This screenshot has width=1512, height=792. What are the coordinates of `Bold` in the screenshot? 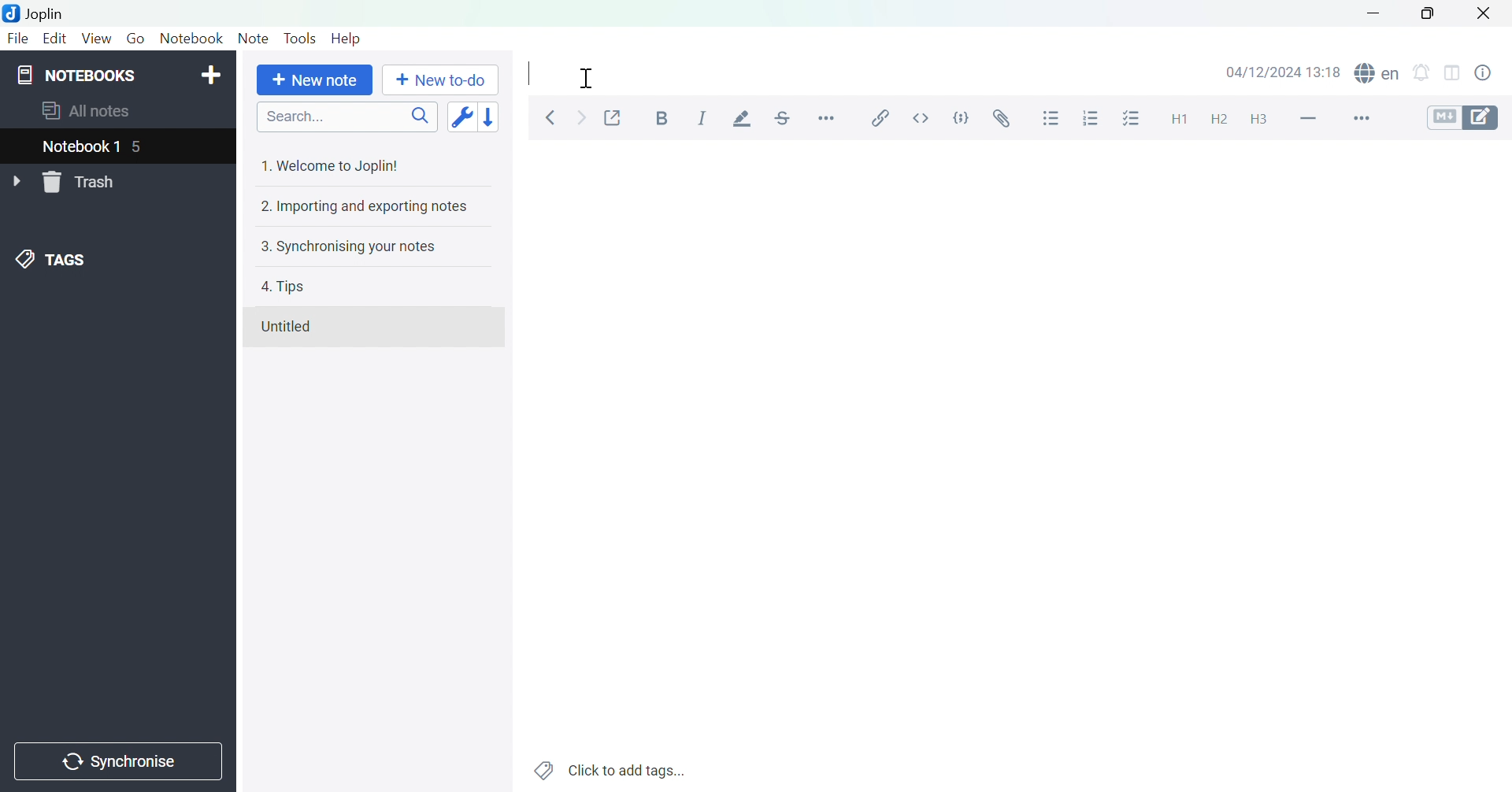 It's located at (661, 119).